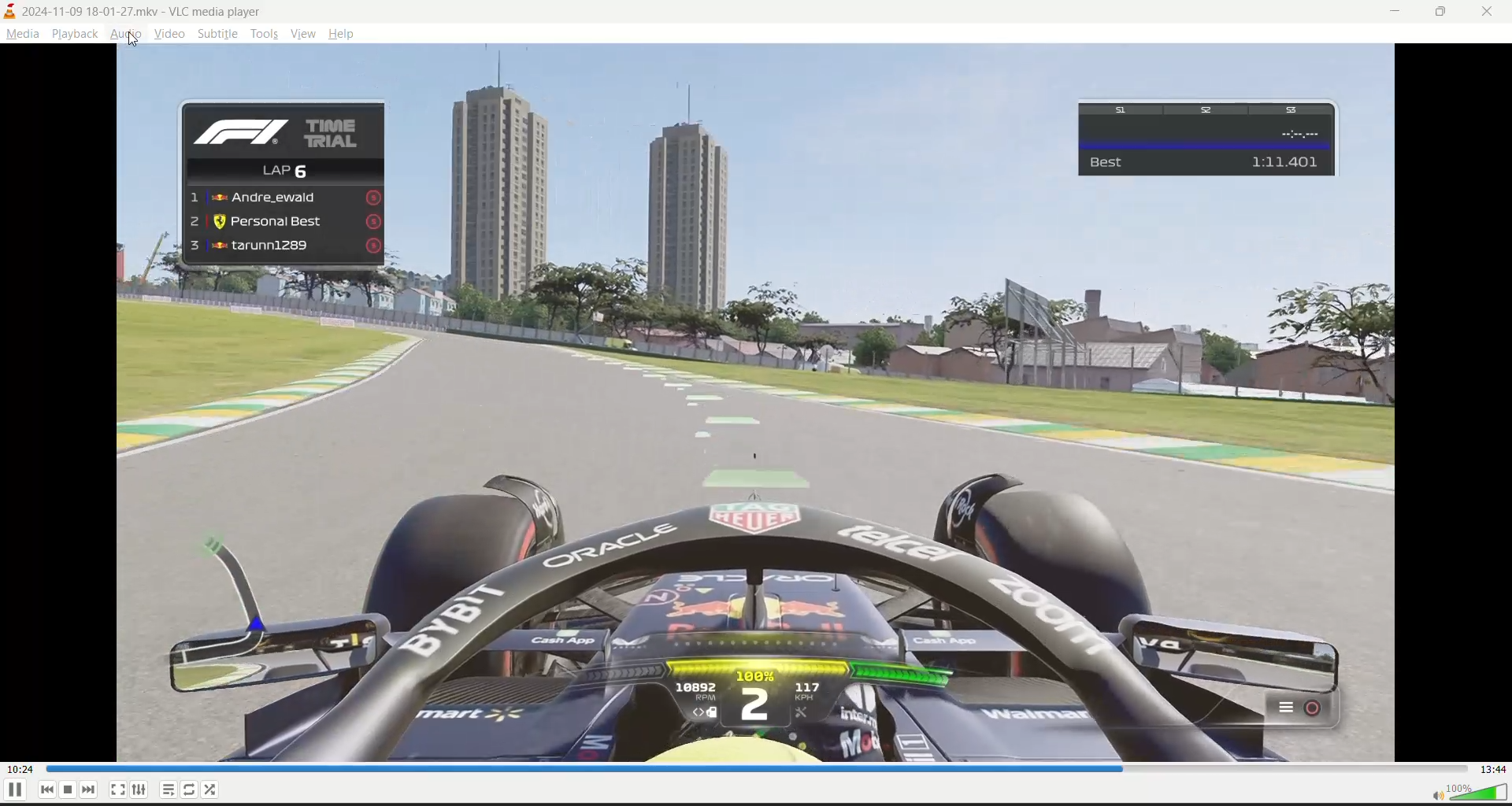 This screenshot has height=806, width=1512. What do you see at coordinates (1469, 793) in the screenshot?
I see `volume` at bounding box center [1469, 793].